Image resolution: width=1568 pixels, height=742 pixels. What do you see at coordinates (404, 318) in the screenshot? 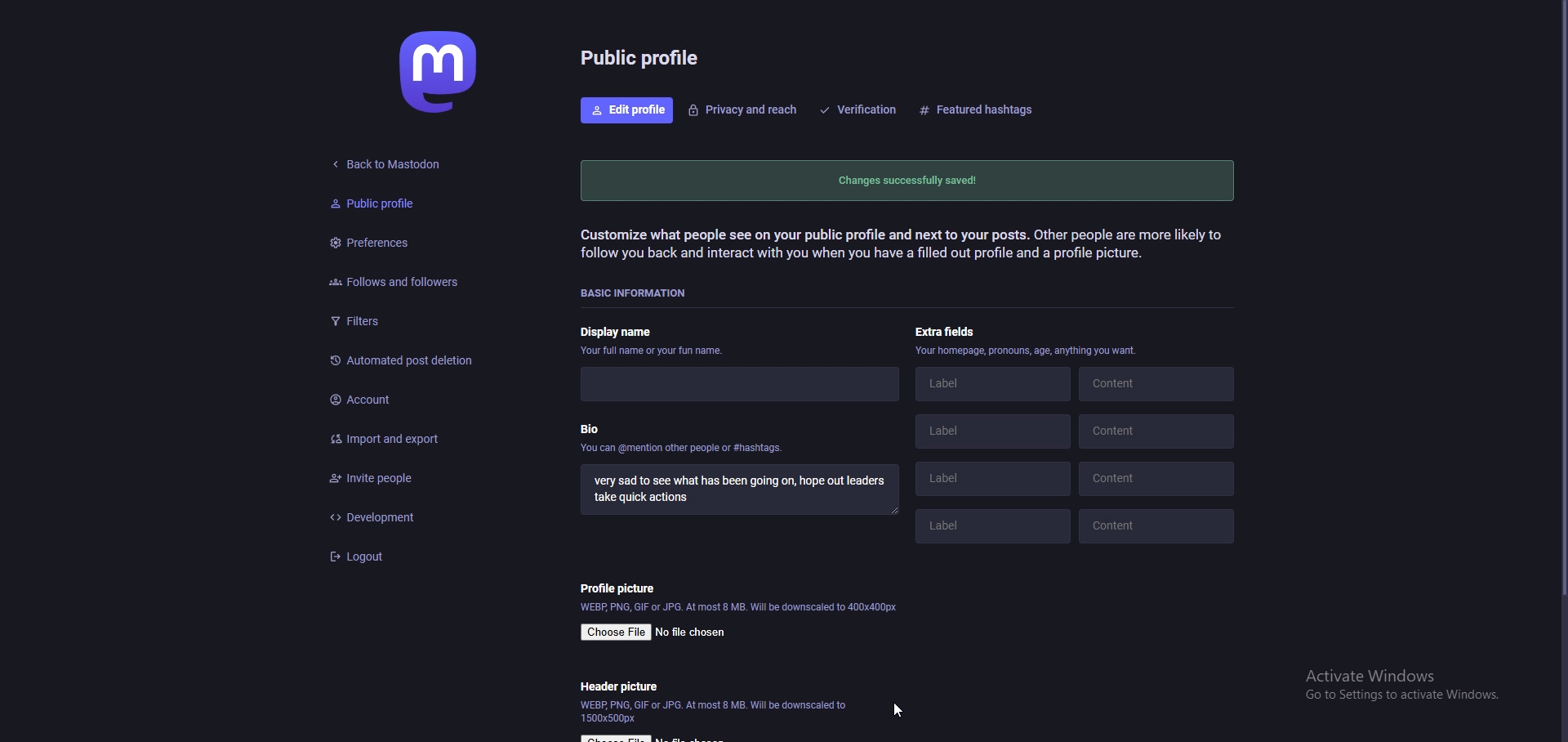
I see `filters` at bounding box center [404, 318].